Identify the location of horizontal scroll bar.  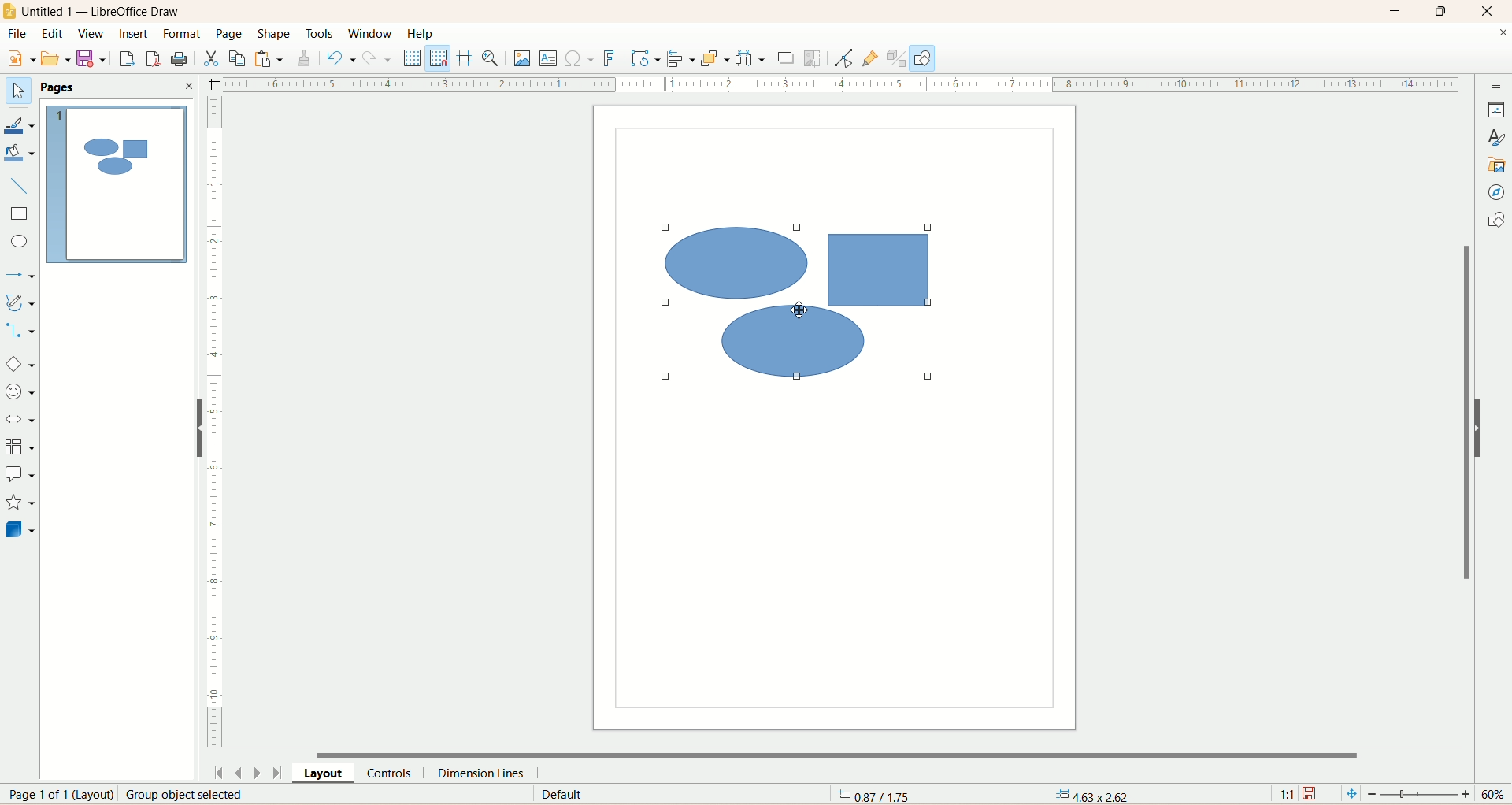
(853, 753).